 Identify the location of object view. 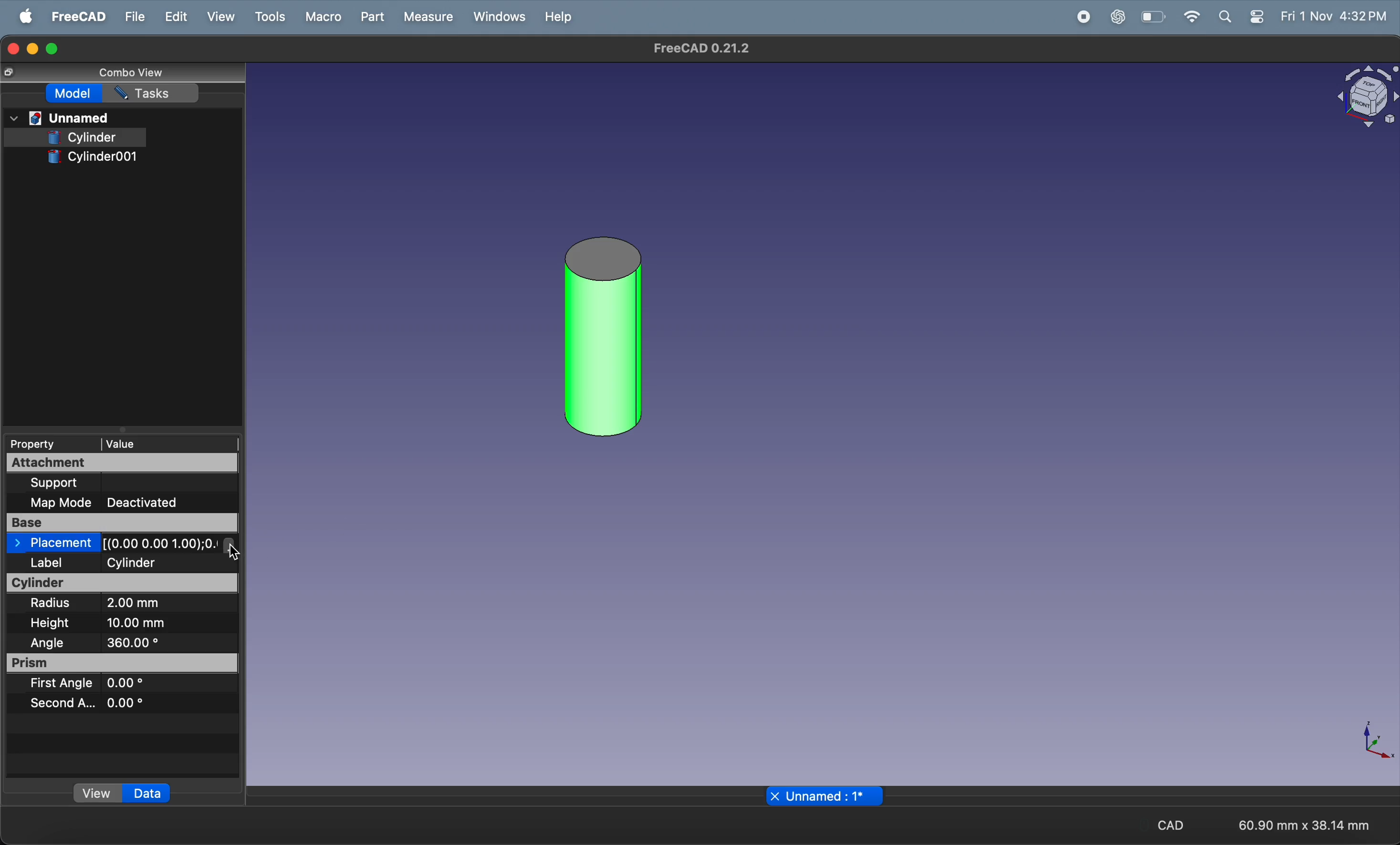
(1367, 97).